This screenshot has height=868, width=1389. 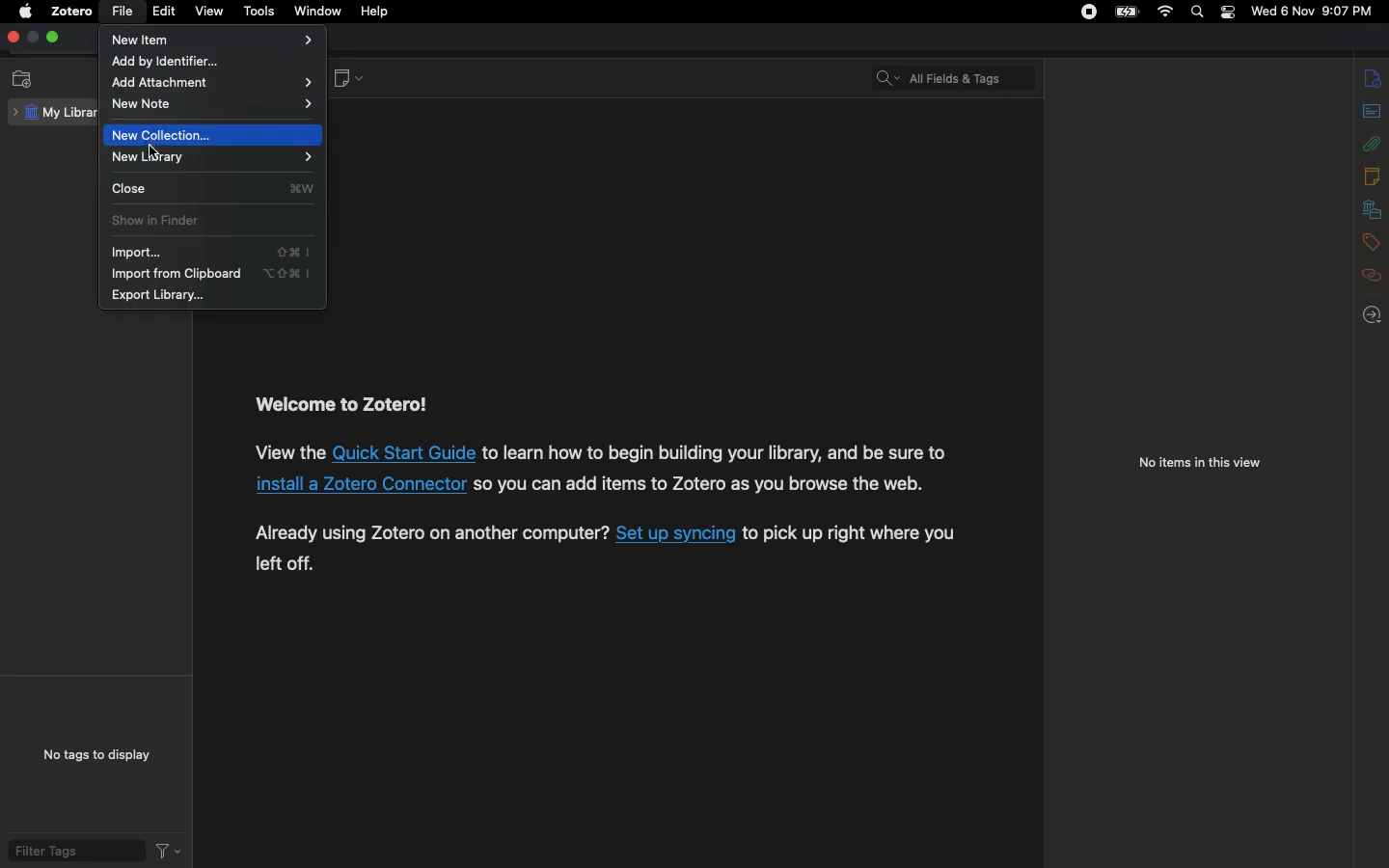 What do you see at coordinates (211, 275) in the screenshot?
I see `Import from clipboard` at bounding box center [211, 275].